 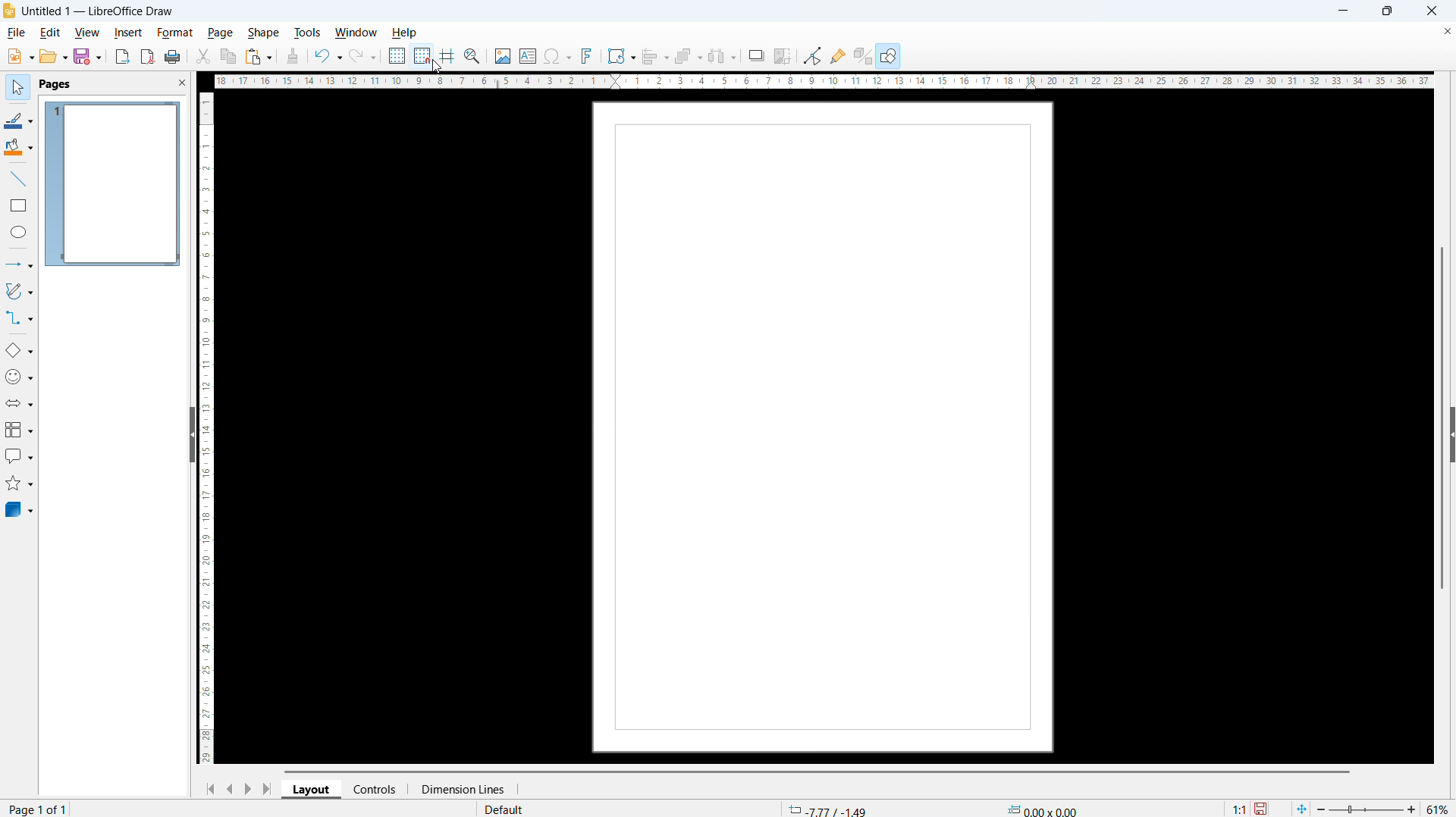 What do you see at coordinates (181, 82) in the screenshot?
I see `close pane` at bounding box center [181, 82].